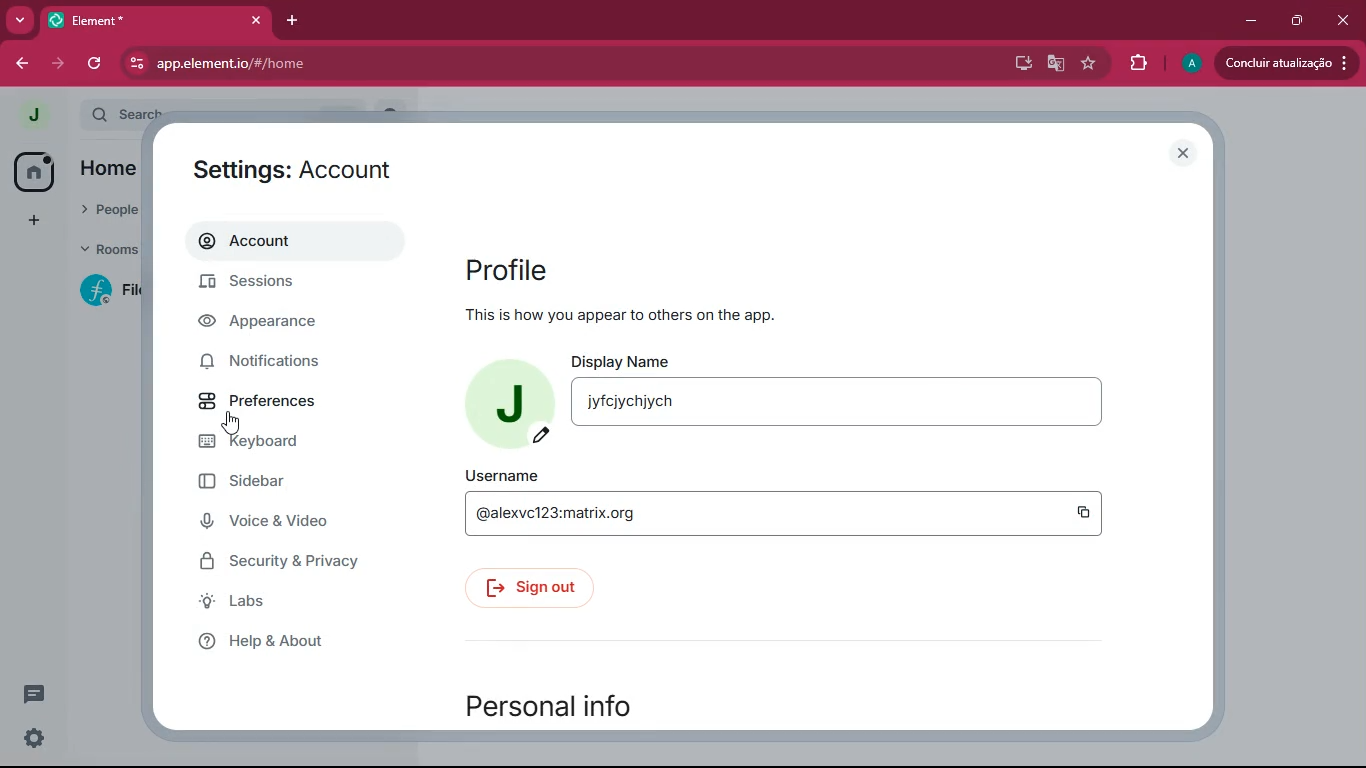 The image size is (1366, 768). I want to click on profile, so click(1193, 63).